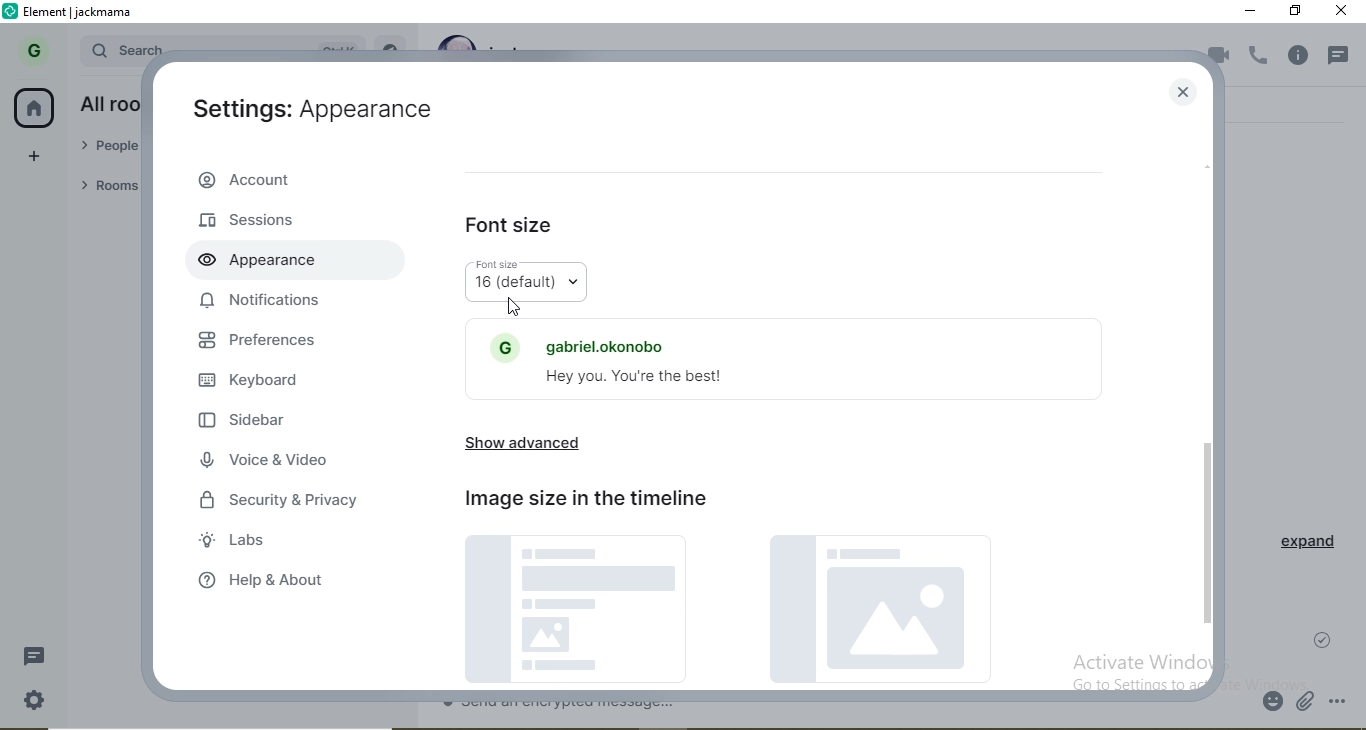 Image resolution: width=1366 pixels, height=730 pixels. What do you see at coordinates (288, 180) in the screenshot?
I see `account` at bounding box center [288, 180].